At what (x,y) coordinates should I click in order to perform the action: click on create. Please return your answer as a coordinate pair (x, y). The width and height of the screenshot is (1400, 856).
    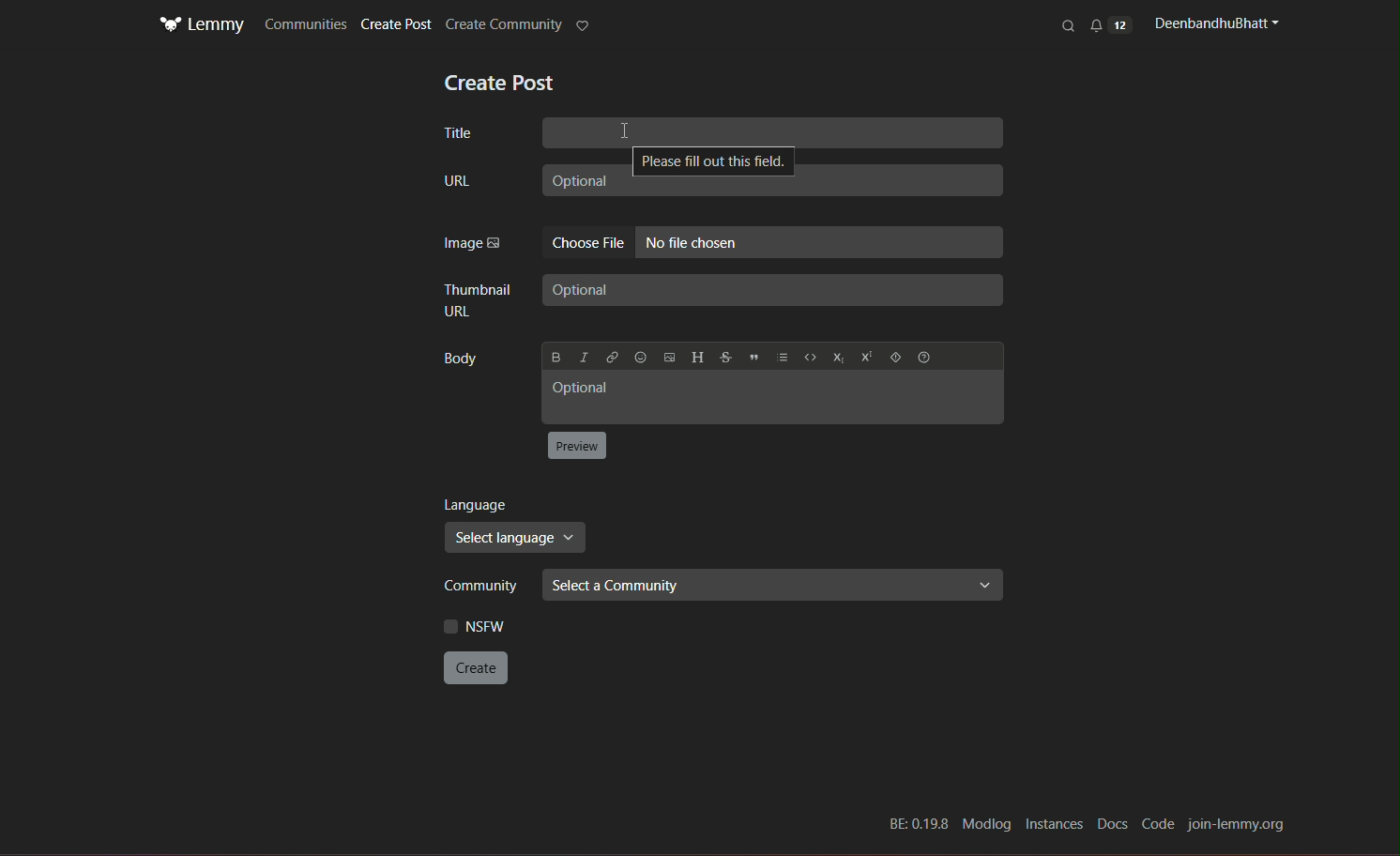
    Looking at the image, I should click on (478, 666).